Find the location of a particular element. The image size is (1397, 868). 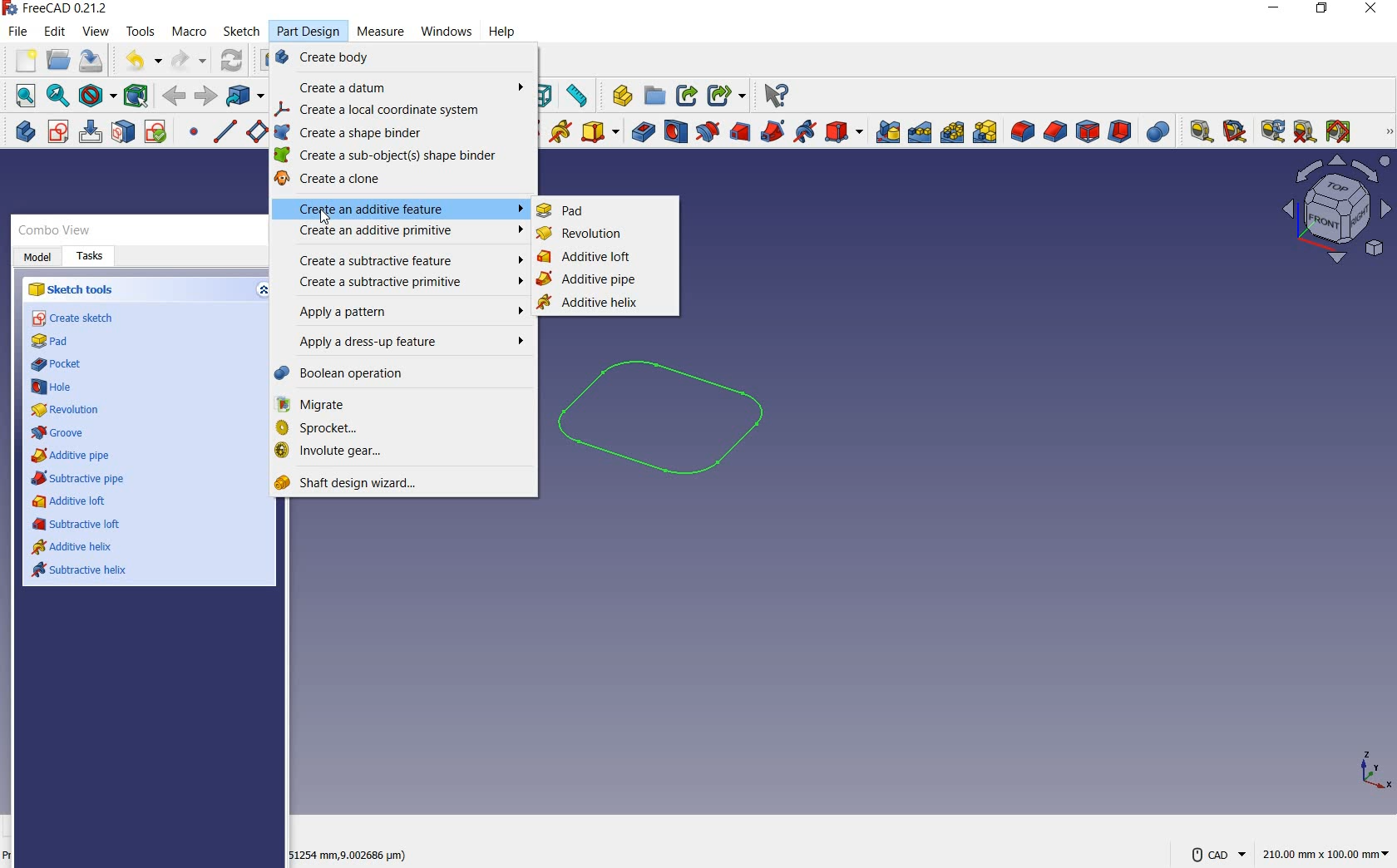

subtractive pipe is located at coordinates (78, 478).